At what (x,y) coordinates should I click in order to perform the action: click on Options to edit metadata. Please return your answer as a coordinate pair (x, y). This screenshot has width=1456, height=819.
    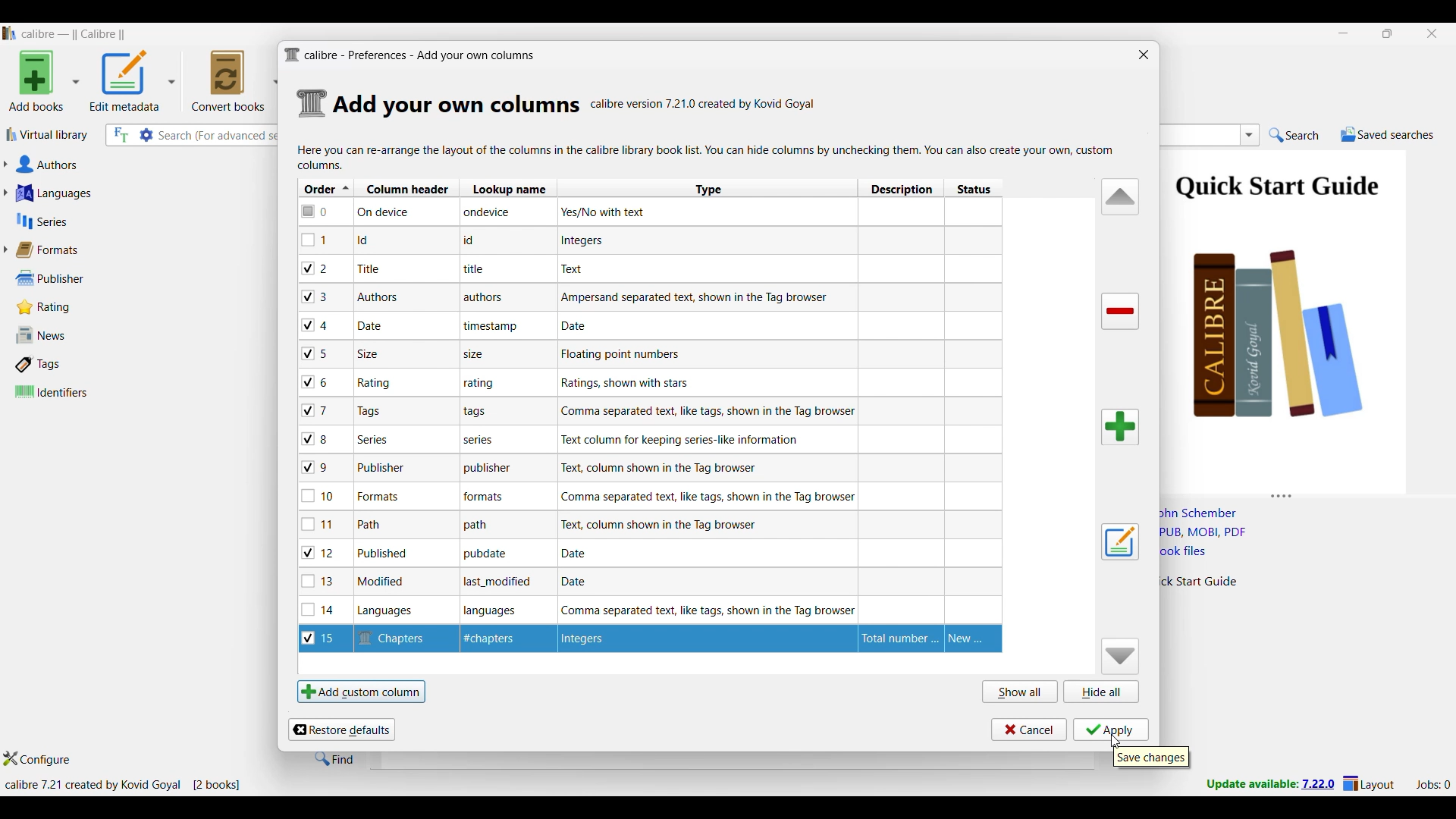
    Looking at the image, I should click on (133, 80).